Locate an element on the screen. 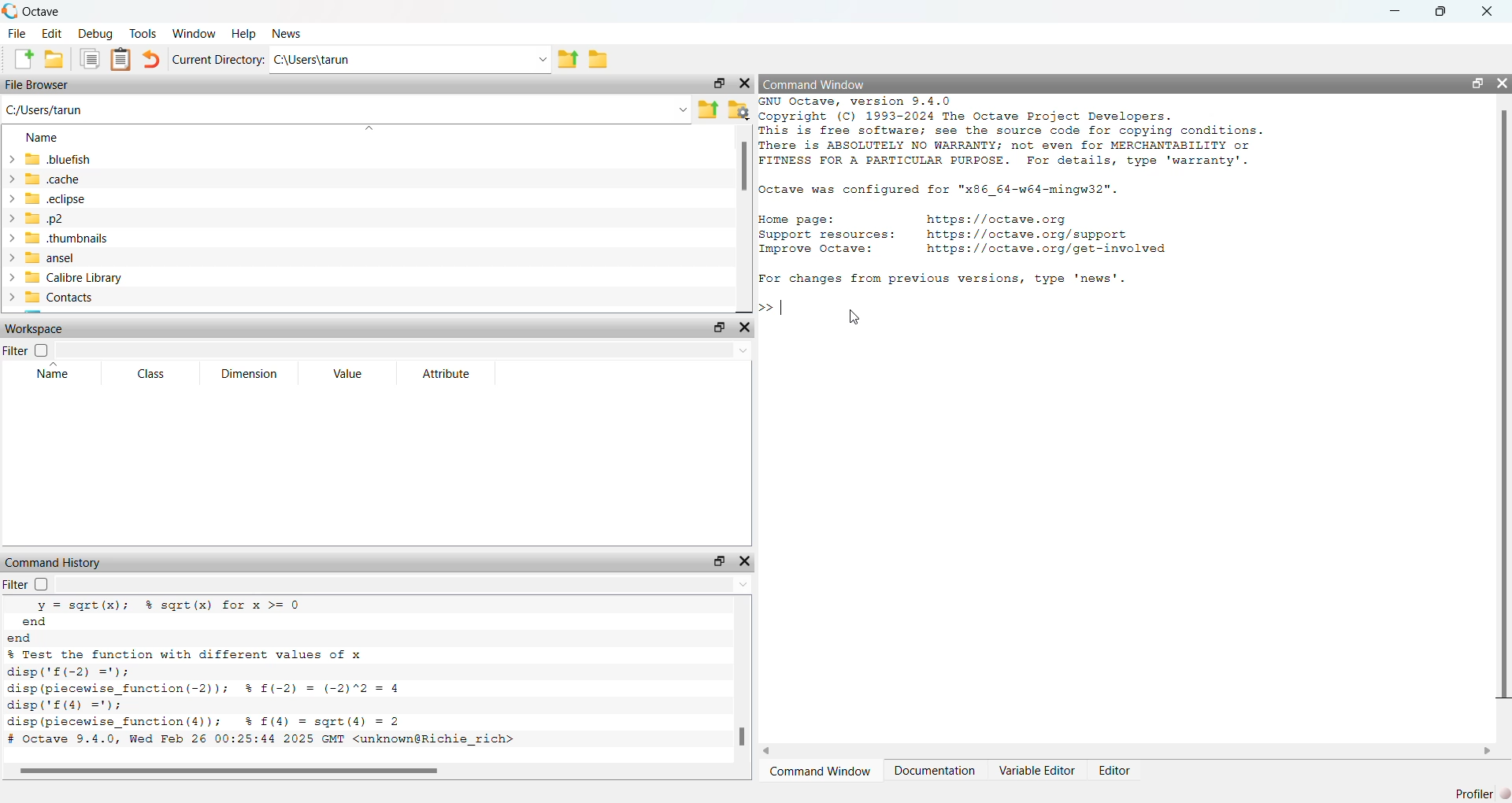 The height and width of the screenshot is (803, 1512). New script is located at coordinates (25, 59).